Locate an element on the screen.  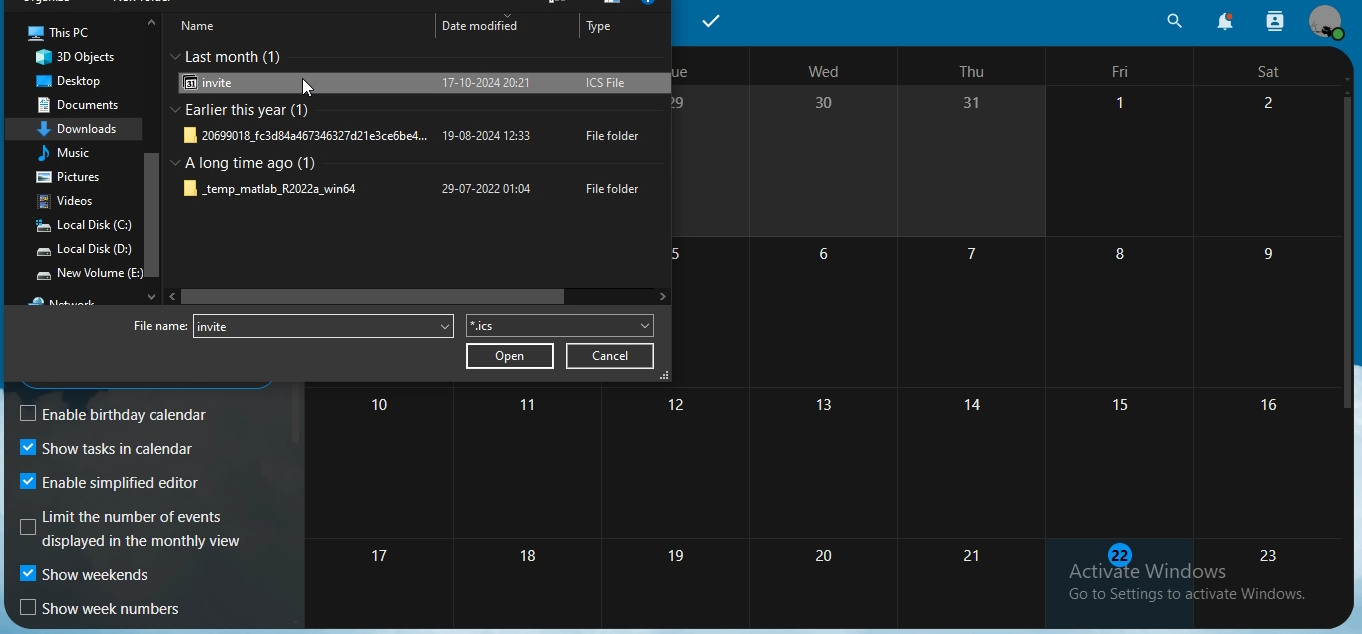
last month is located at coordinates (239, 53).